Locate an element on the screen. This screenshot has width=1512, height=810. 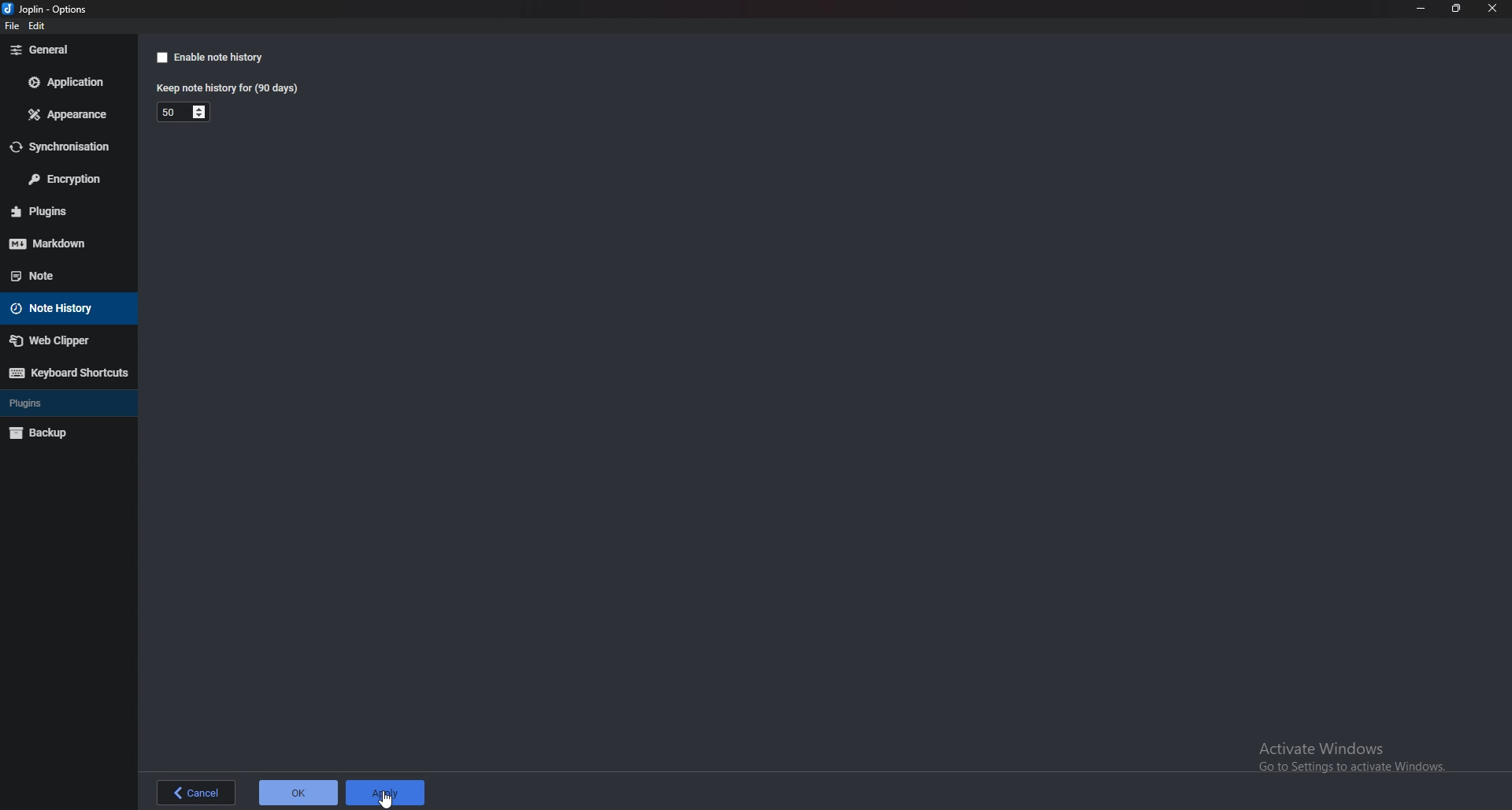
Keyboard shortcuts is located at coordinates (68, 373).